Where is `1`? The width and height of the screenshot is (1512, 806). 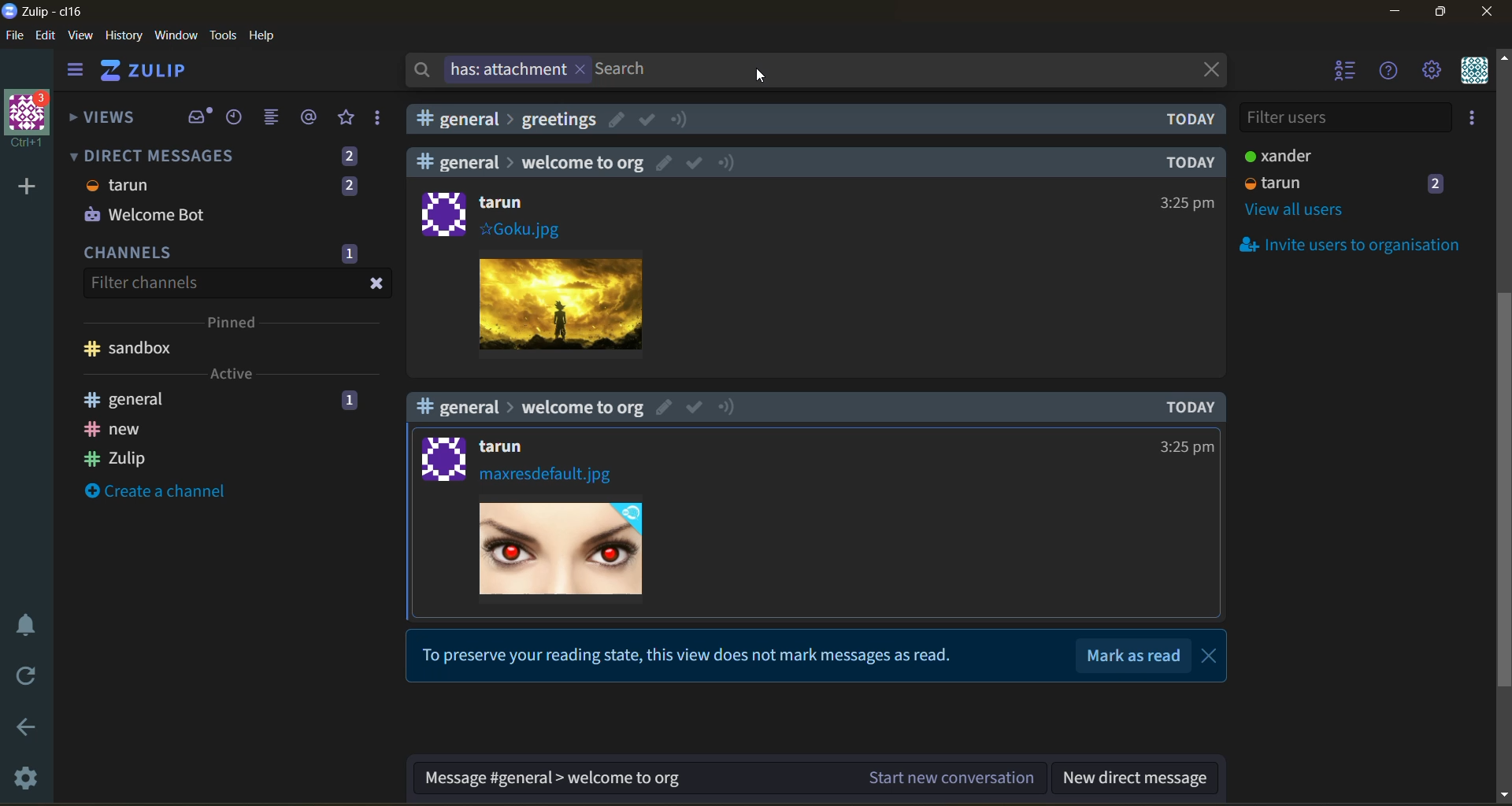 1 is located at coordinates (349, 402).